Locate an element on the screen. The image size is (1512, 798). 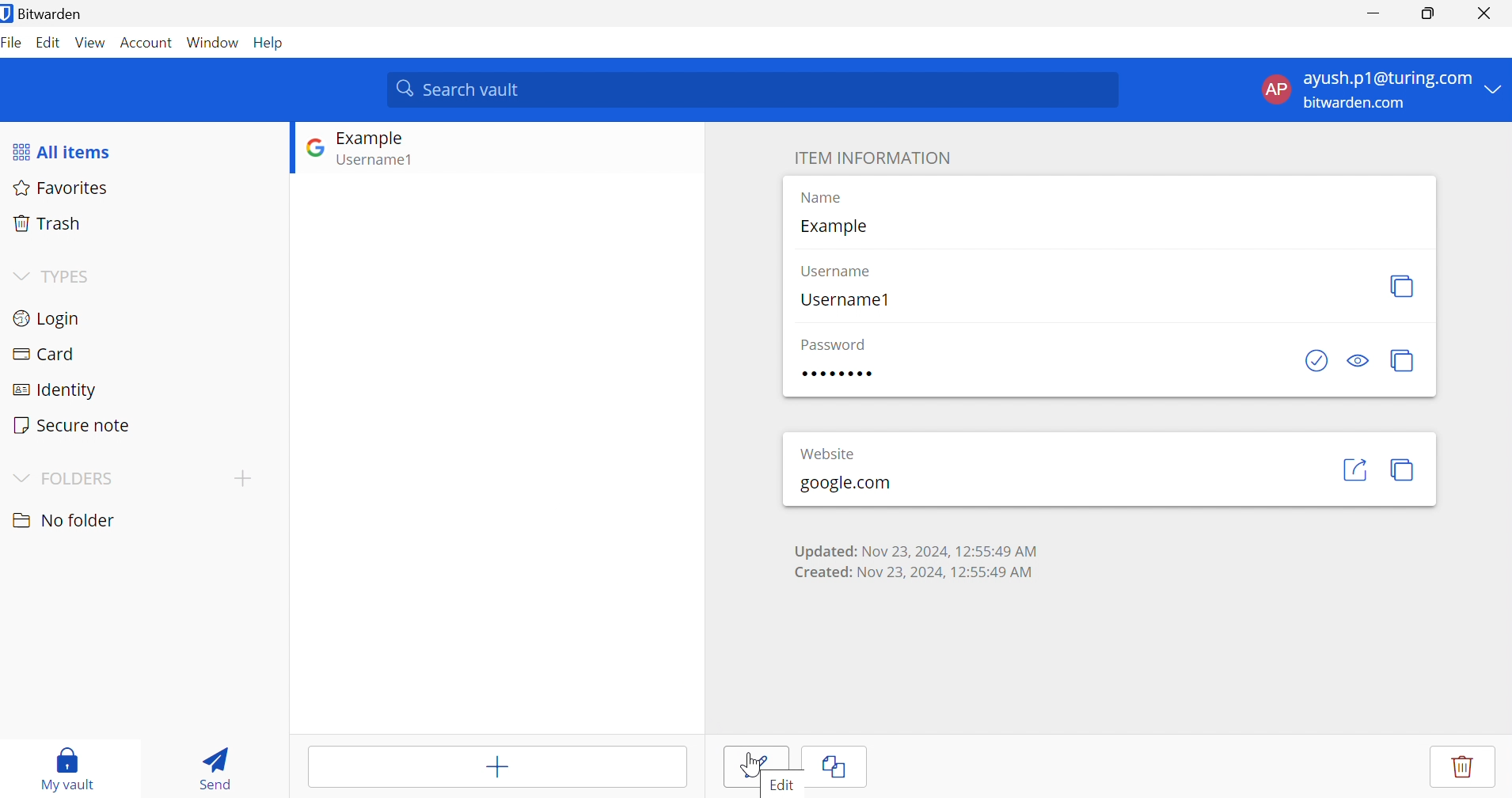
FOLDER is located at coordinates (78, 477).